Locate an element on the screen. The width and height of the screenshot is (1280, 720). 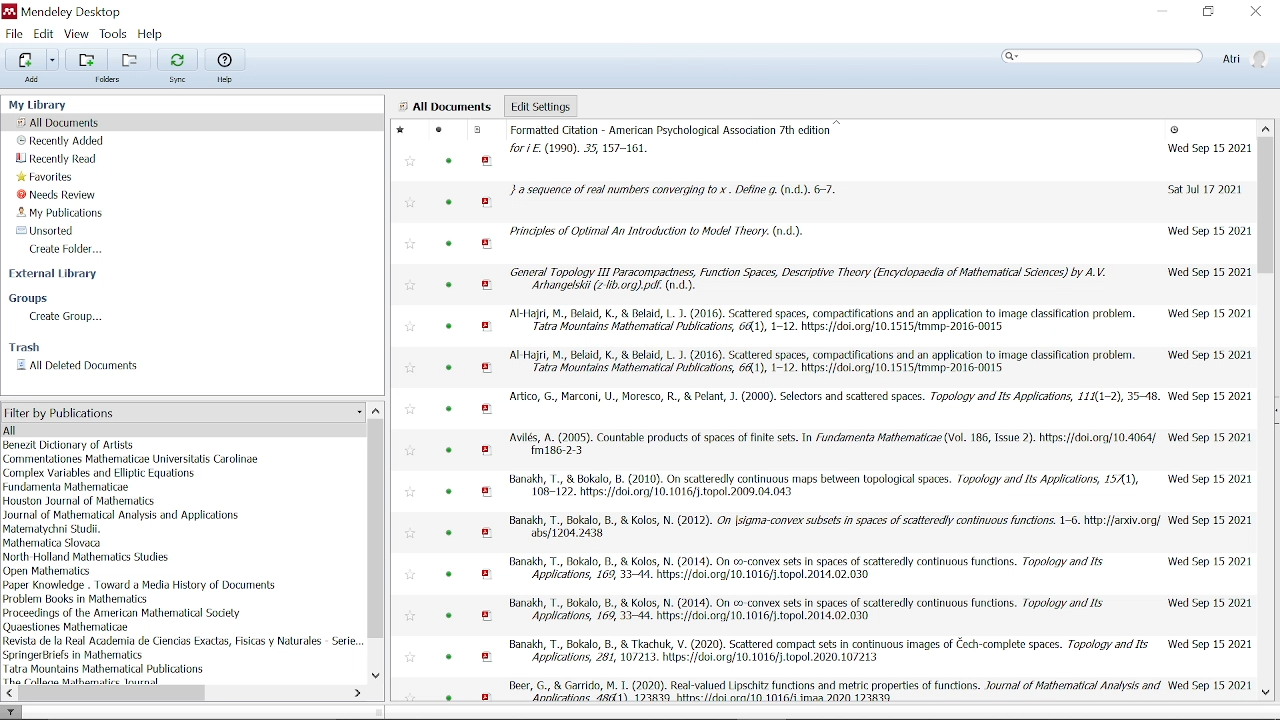
Minimize is located at coordinates (1162, 13).